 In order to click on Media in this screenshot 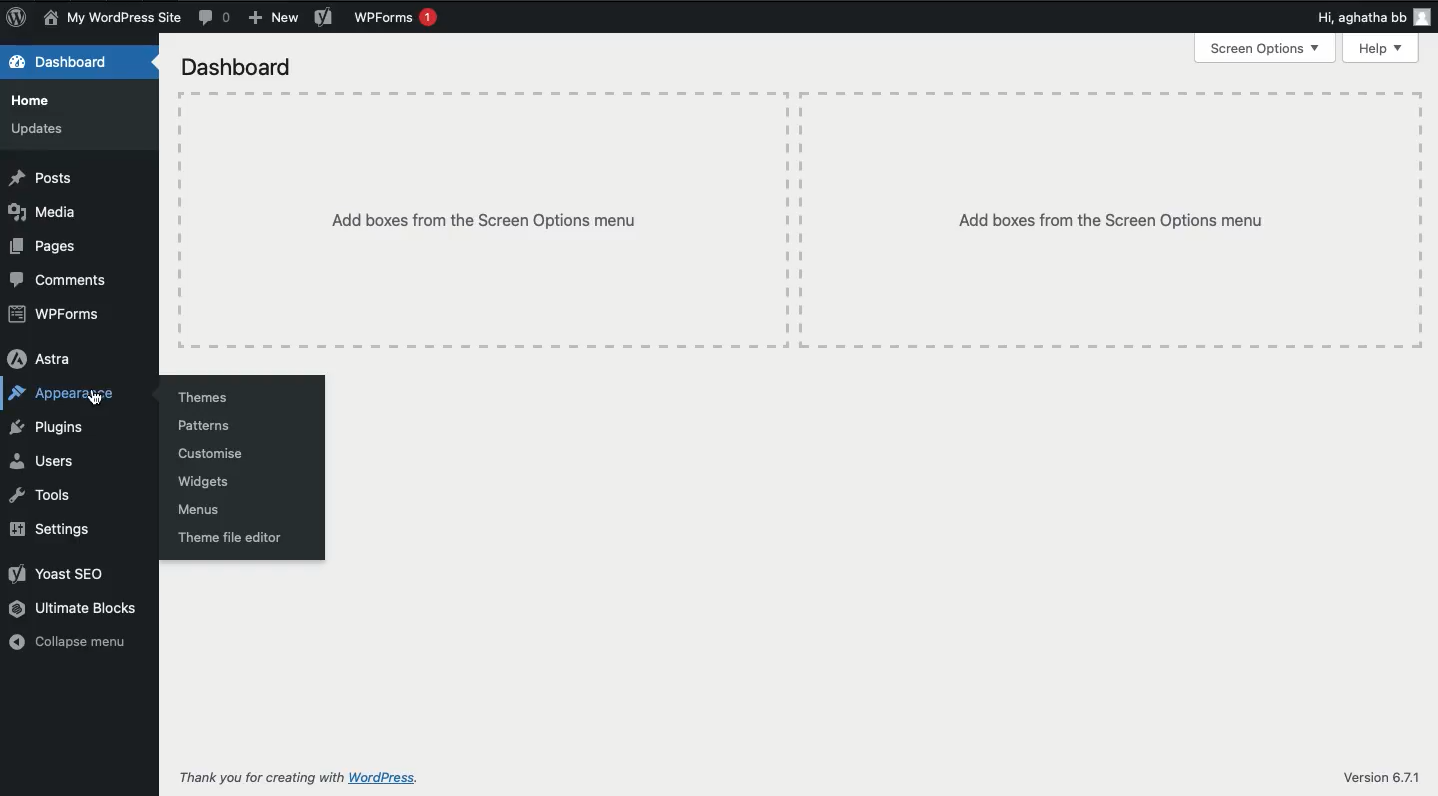, I will do `click(44, 213)`.